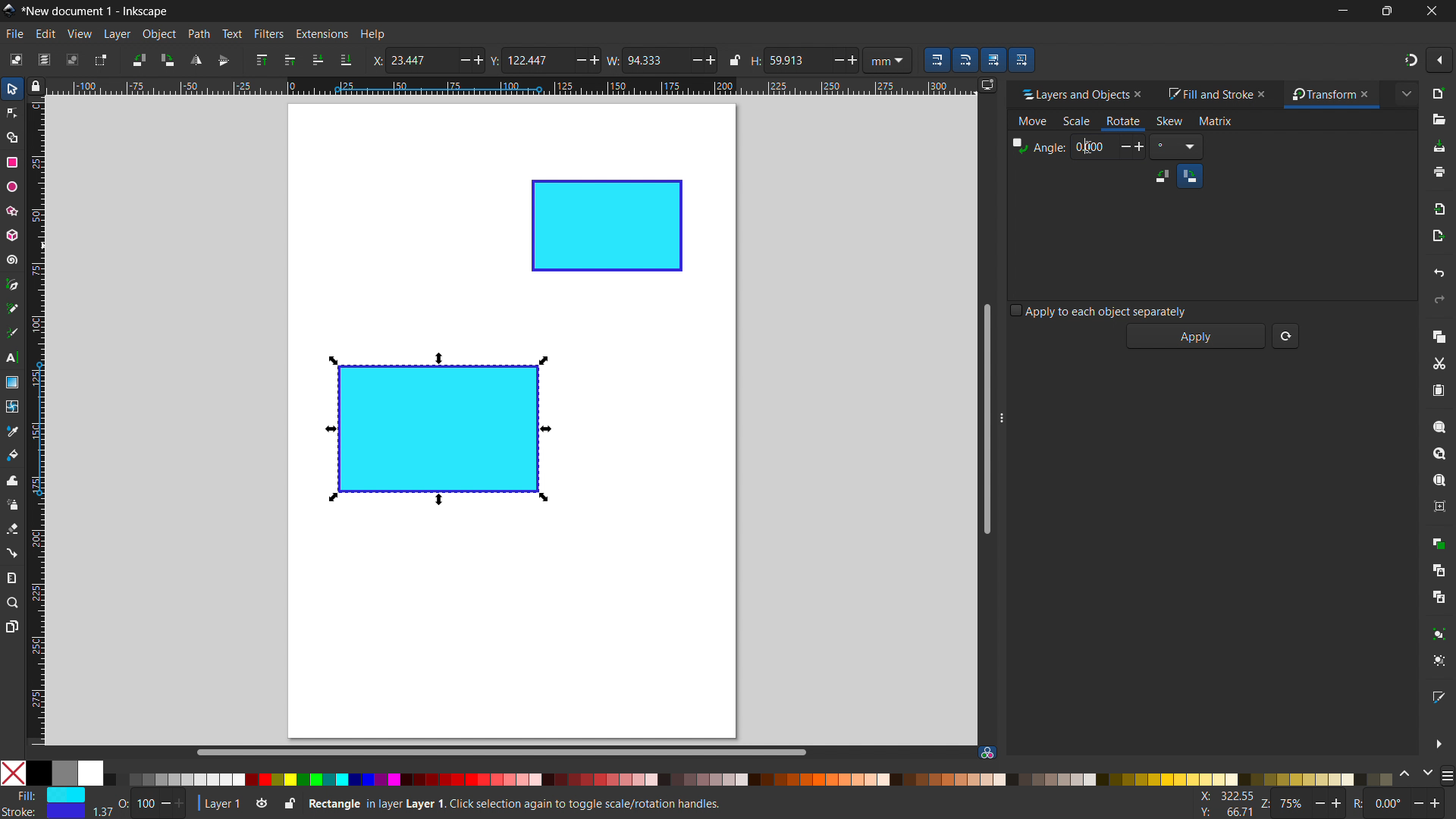 This screenshot has height=819, width=1456. Describe the element at coordinates (1304, 805) in the screenshot. I see `Z: 75%` at that location.